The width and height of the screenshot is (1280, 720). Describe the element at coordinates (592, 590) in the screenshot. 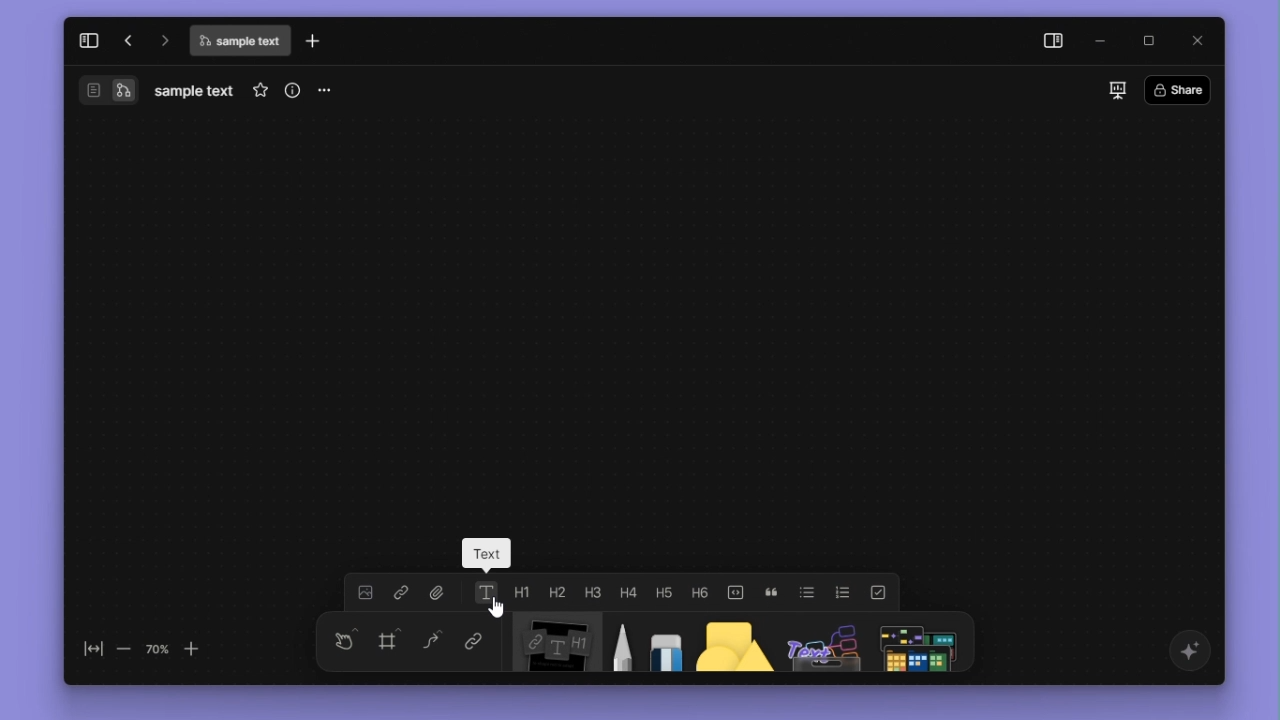

I see `heading 3` at that location.